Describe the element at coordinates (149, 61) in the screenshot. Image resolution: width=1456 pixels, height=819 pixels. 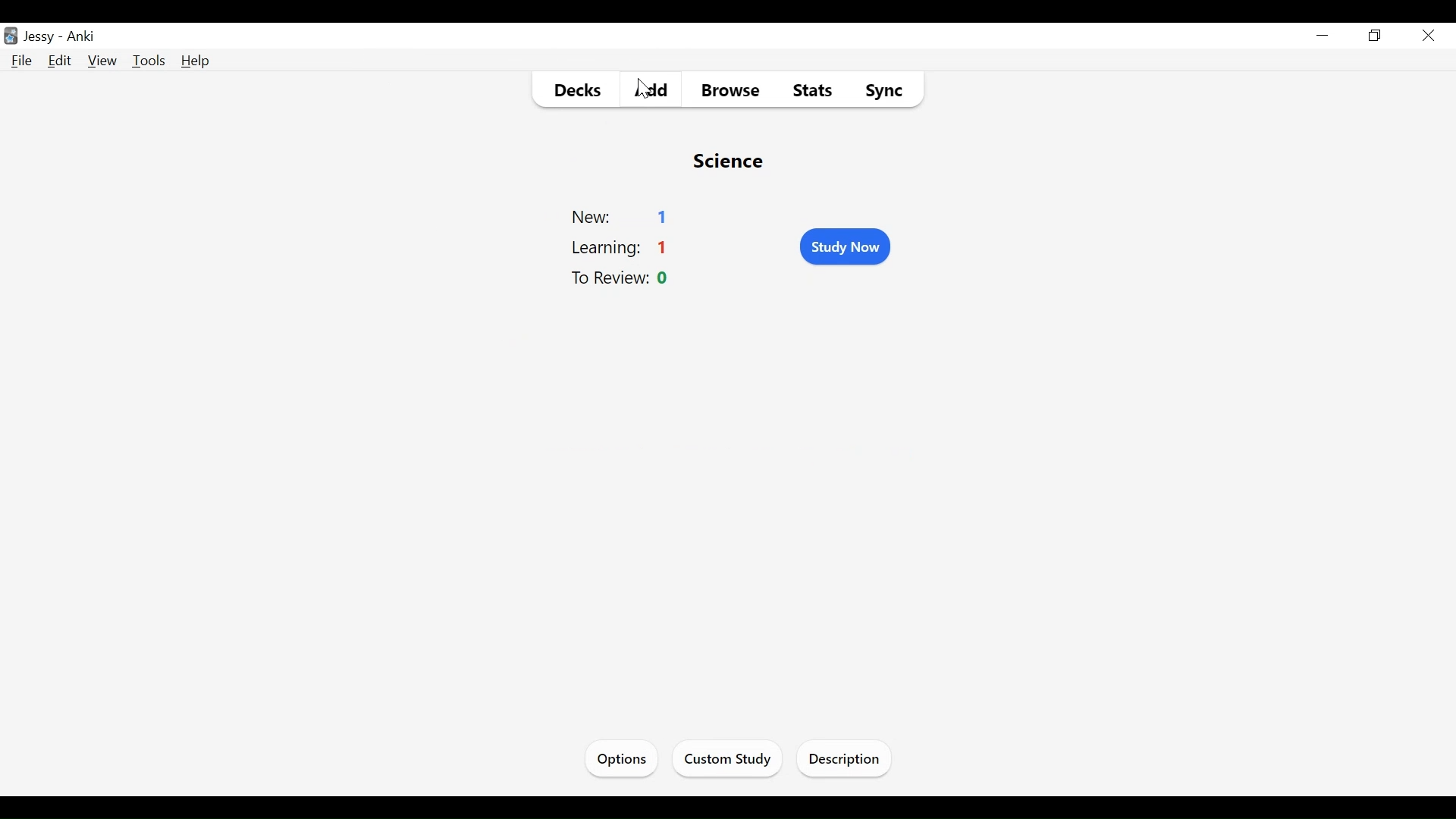
I see `Tools` at that location.